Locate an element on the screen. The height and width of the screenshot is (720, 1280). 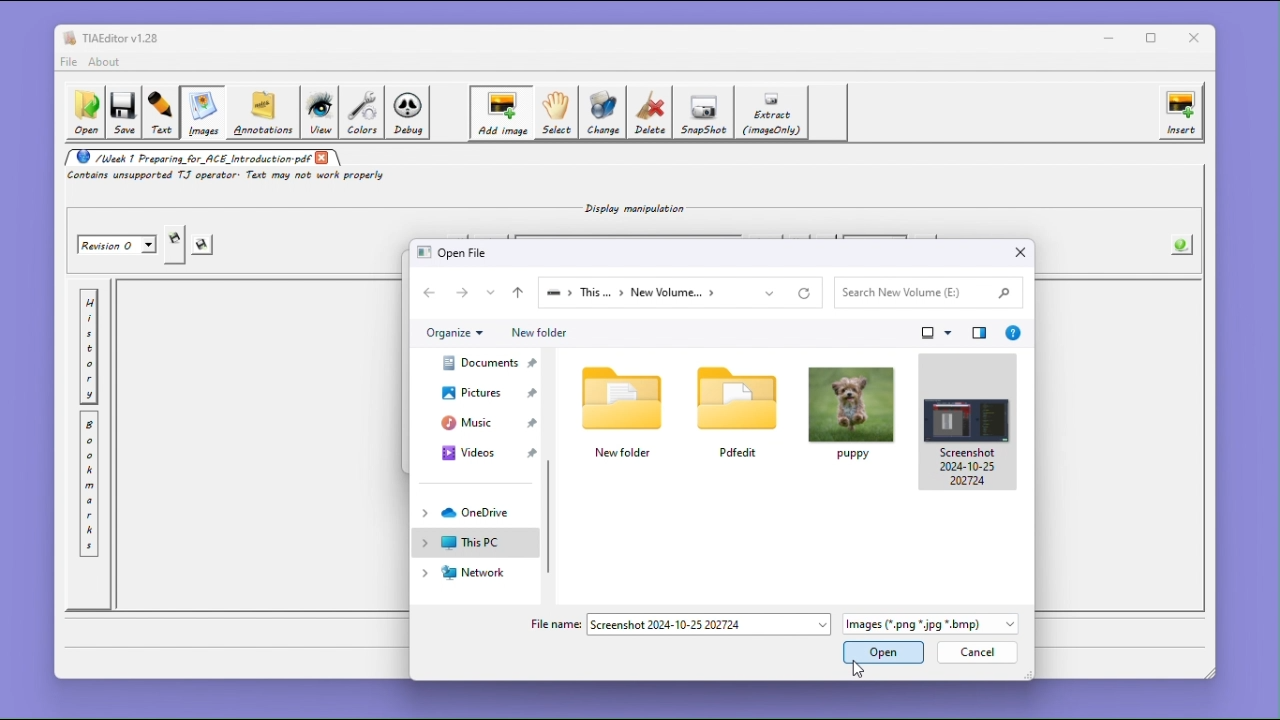
Screenshot 2024-10-25 202724 is located at coordinates (967, 421).